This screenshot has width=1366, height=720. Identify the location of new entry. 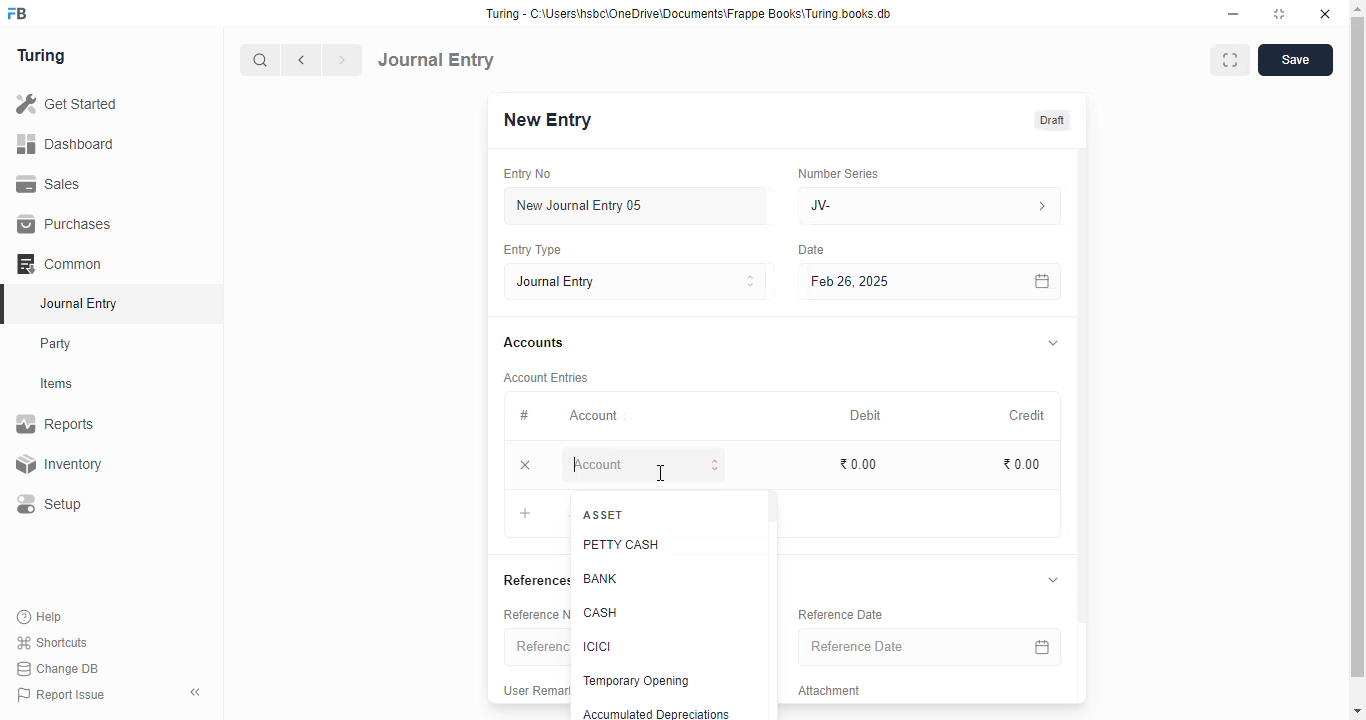
(547, 119).